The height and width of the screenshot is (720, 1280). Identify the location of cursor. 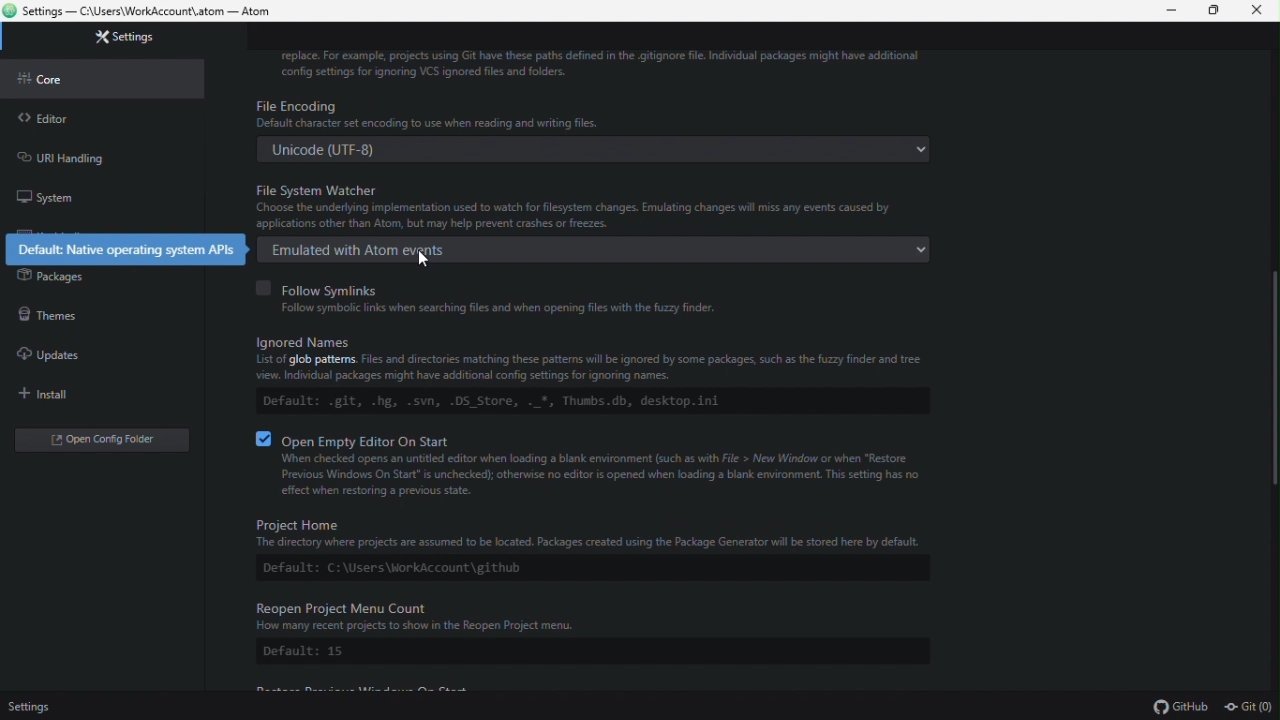
(420, 258).